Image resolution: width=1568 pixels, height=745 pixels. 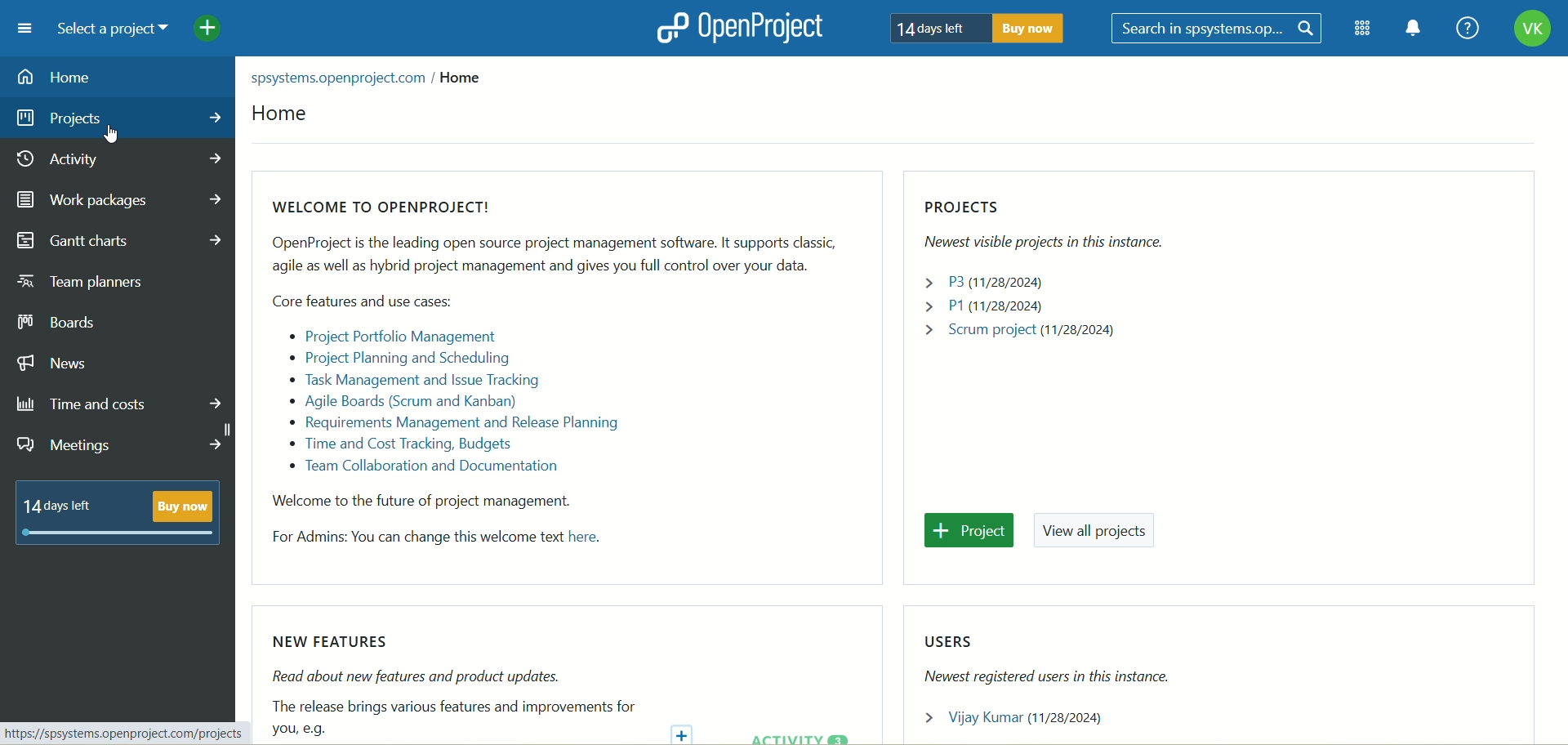 What do you see at coordinates (111, 134) in the screenshot?
I see `cursor` at bounding box center [111, 134].